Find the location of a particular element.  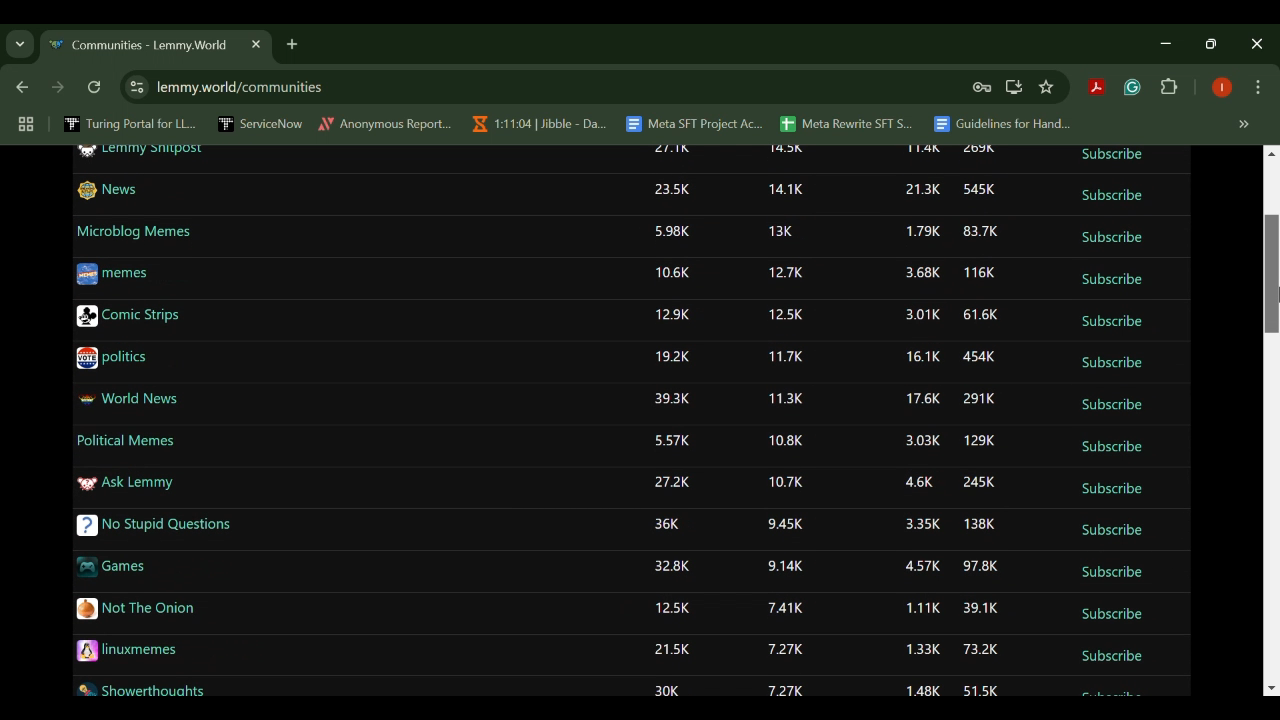

39.1K is located at coordinates (978, 608).